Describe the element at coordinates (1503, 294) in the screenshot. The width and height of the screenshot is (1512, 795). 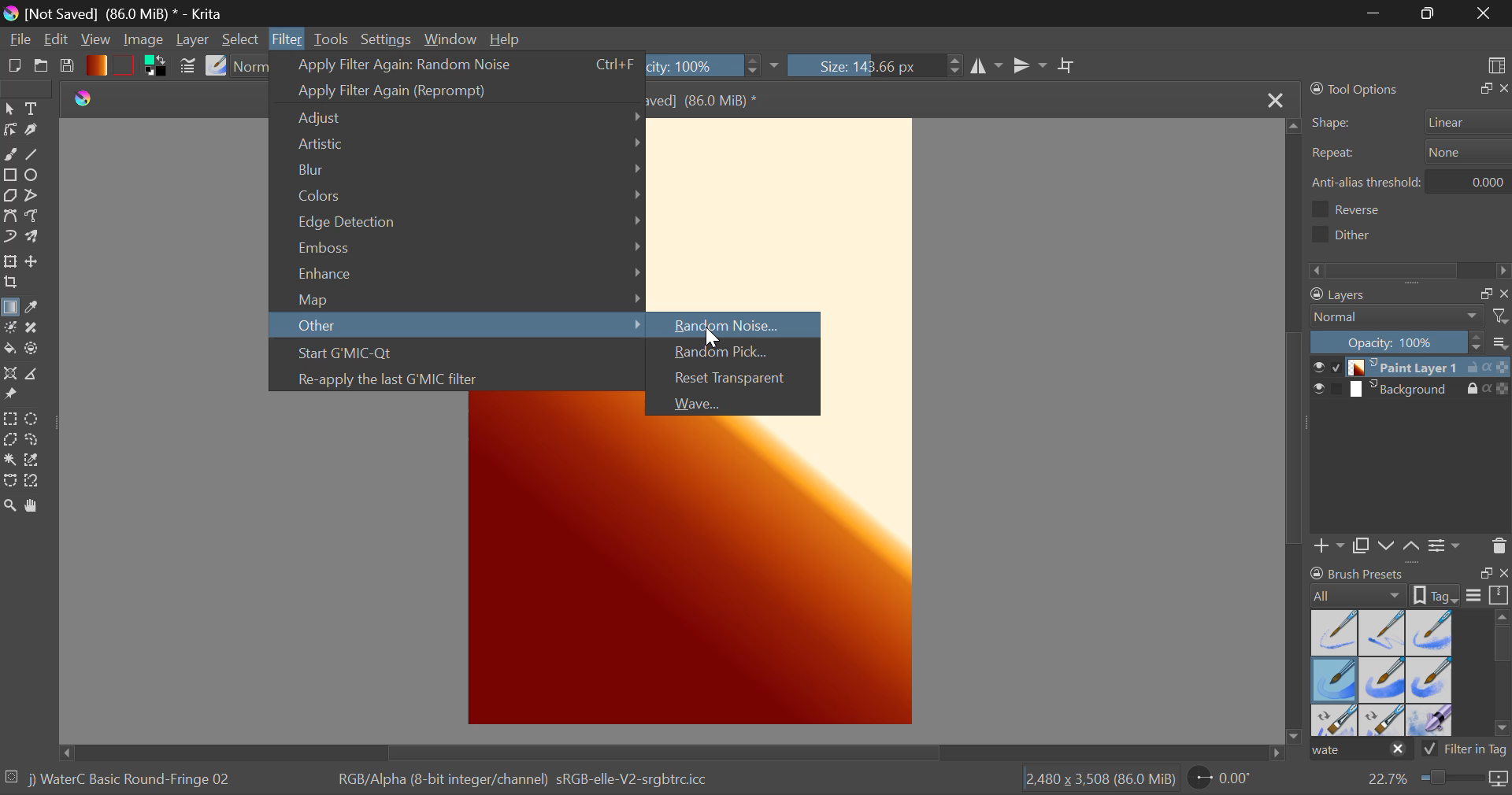
I see `close` at that location.